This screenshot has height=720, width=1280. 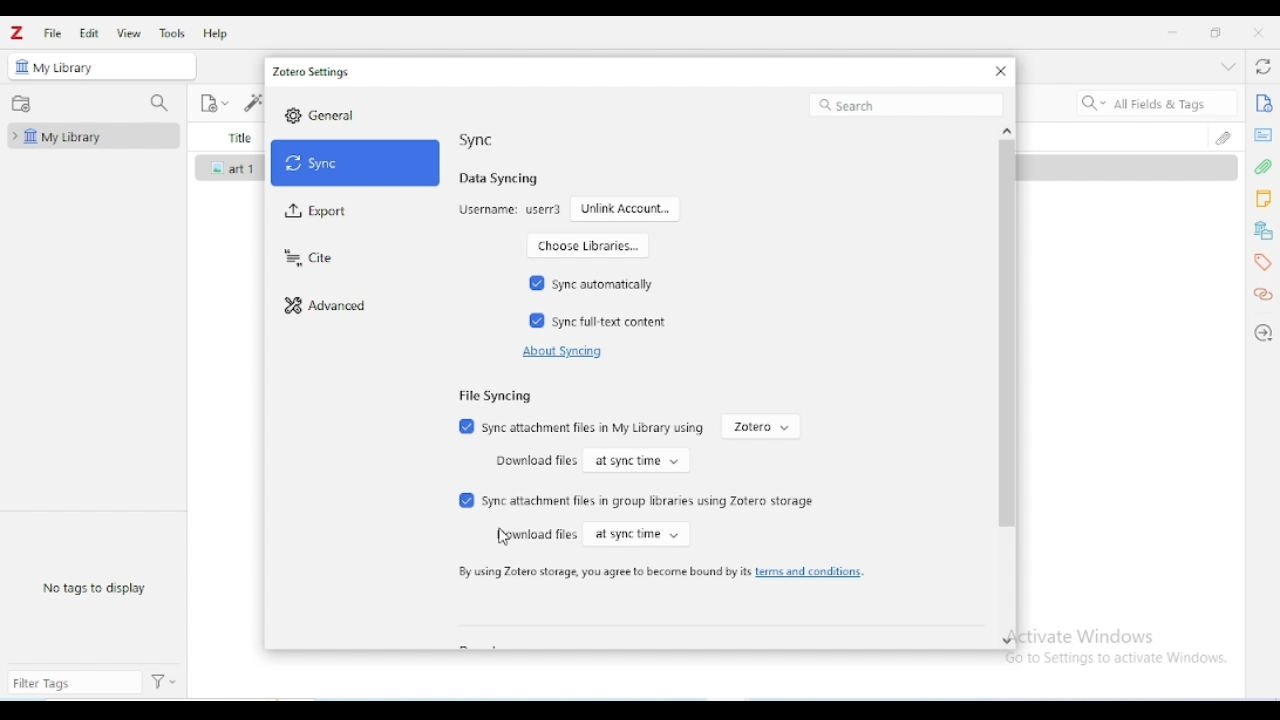 I want to click on actions, so click(x=164, y=682).